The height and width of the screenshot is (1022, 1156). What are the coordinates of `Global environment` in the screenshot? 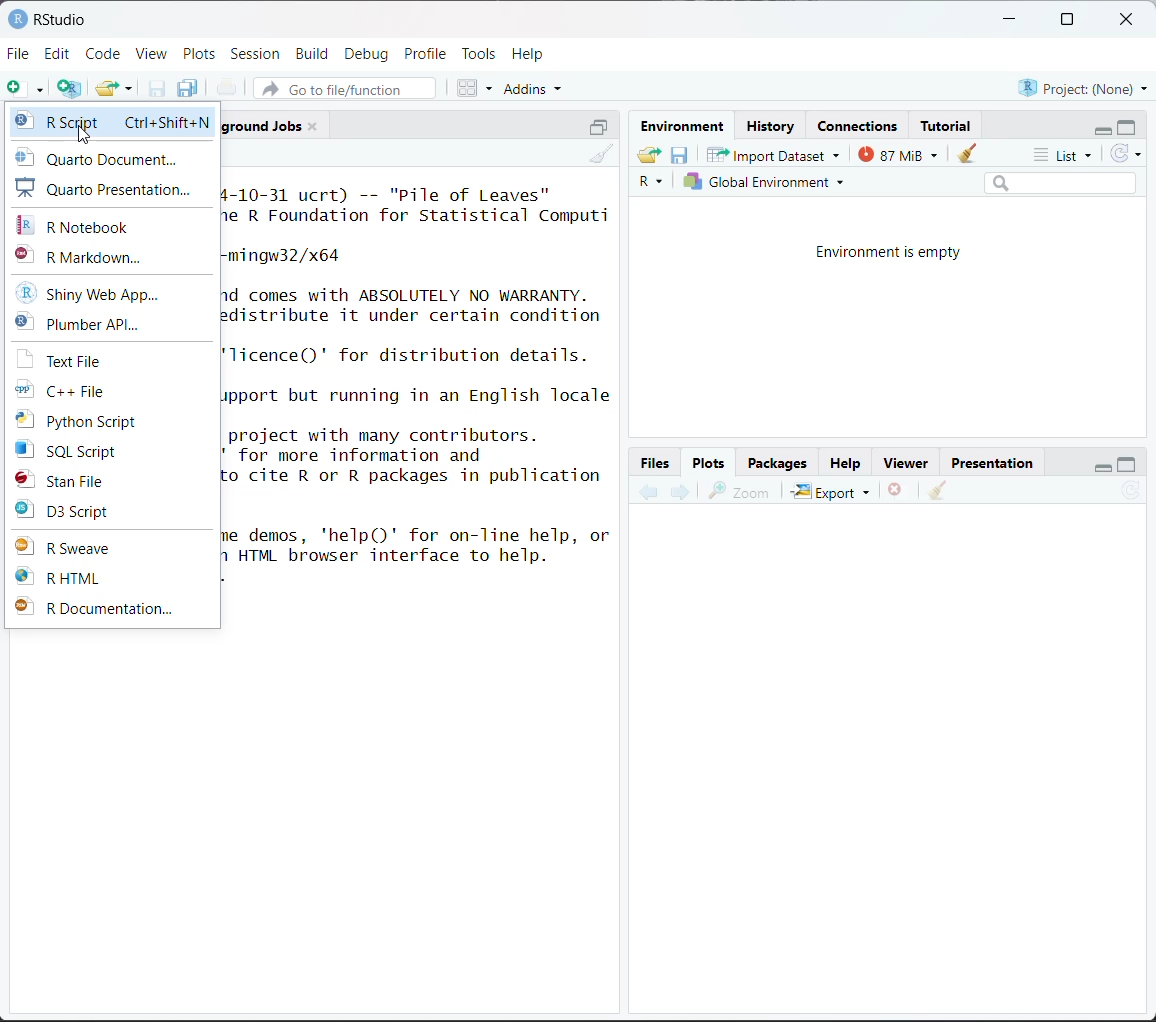 It's located at (765, 182).